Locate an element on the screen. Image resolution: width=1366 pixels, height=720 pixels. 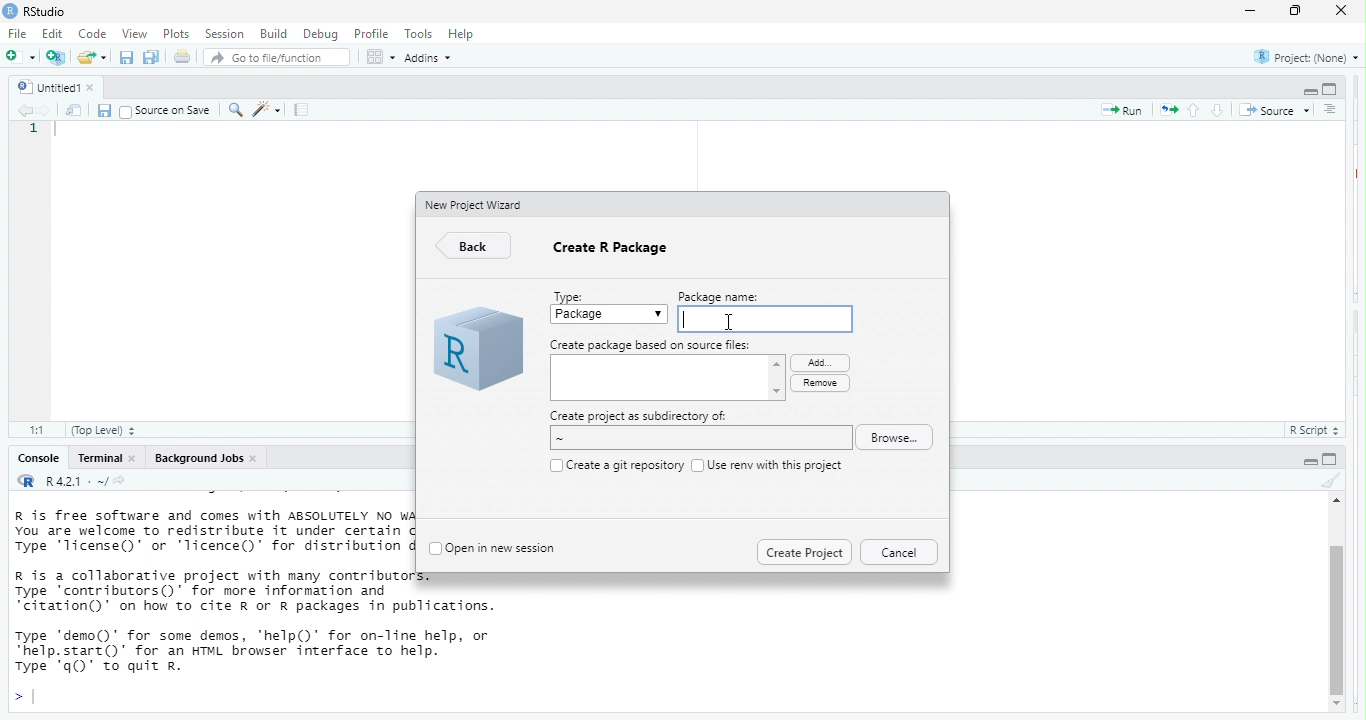
el sie tl—pbmsly-sy-—ibejsiyrisisns-mnisbepalioer-flaimyir-il-d
You are welcome to redistribute it under certain conditions.

Type ‘license()' or ‘licence()' for distribution details.

R is a collaborative project with many contributors.

Type contributors)’ for more information and

“citation()’ on how to cite R or R packages in publications.

Type ‘demo()' for some demos, ‘'help()’ for on-line help, or

“help.start()’ for an HTML browser interface to help.

Type 'q0)" to quit R. is located at coordinates (213, 598).